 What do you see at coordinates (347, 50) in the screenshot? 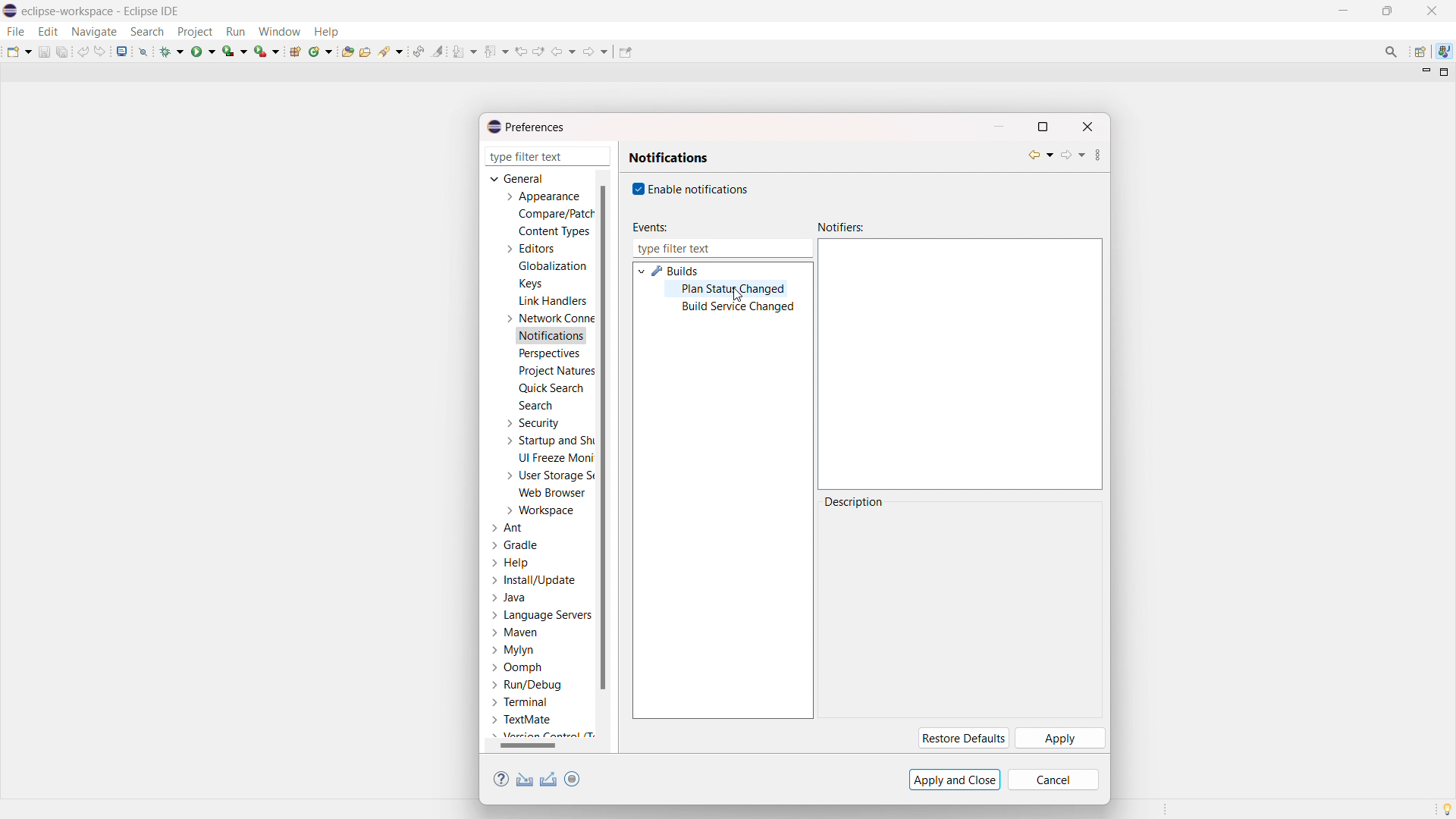
I see `open type` at bounding box center [347, 50].